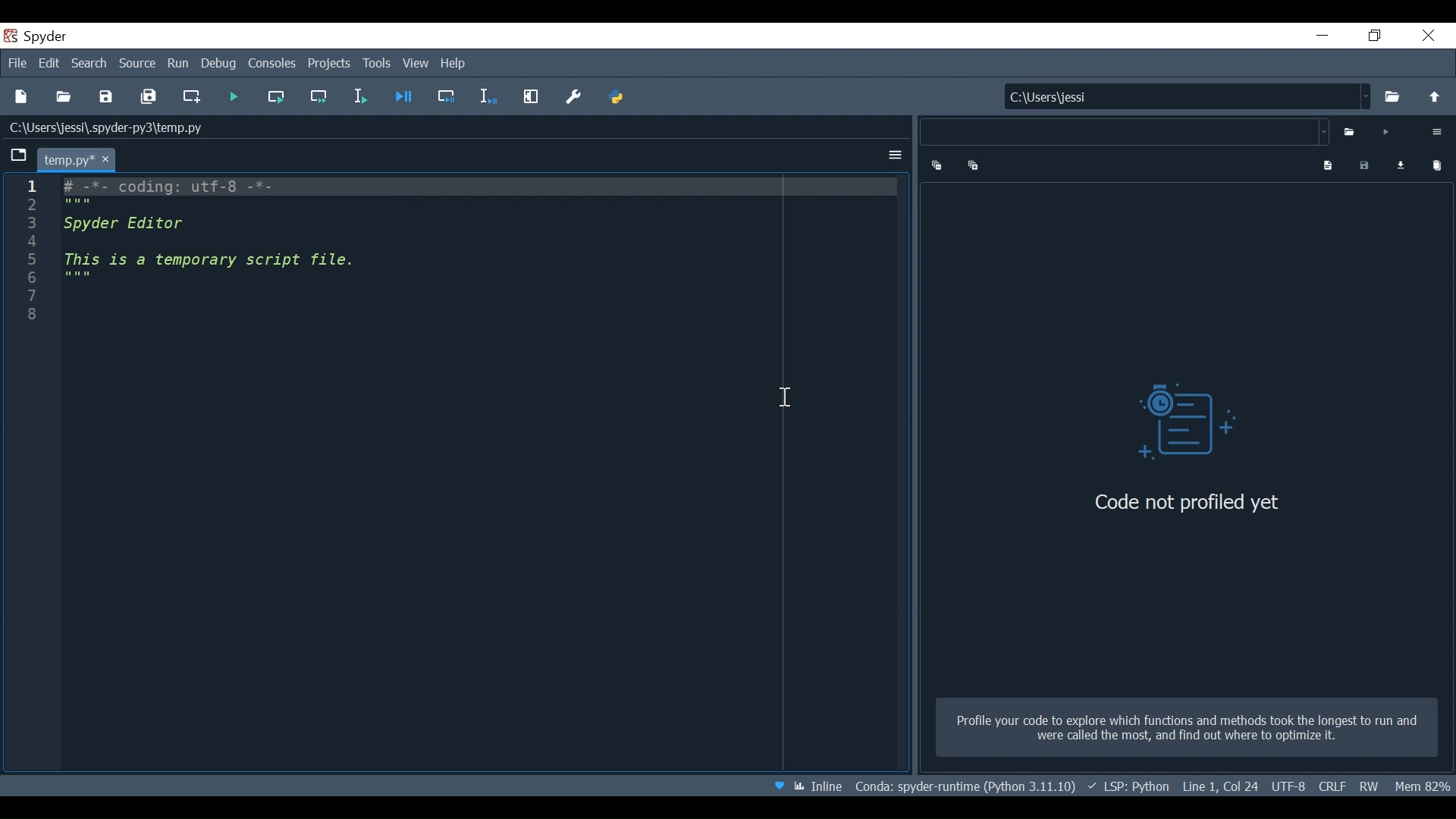 The height and width of the screenshot is (819, 1456). What do you see at coordinates (457, 64) in the screenshot?
I see `Help` at bounding box center [457, 64].